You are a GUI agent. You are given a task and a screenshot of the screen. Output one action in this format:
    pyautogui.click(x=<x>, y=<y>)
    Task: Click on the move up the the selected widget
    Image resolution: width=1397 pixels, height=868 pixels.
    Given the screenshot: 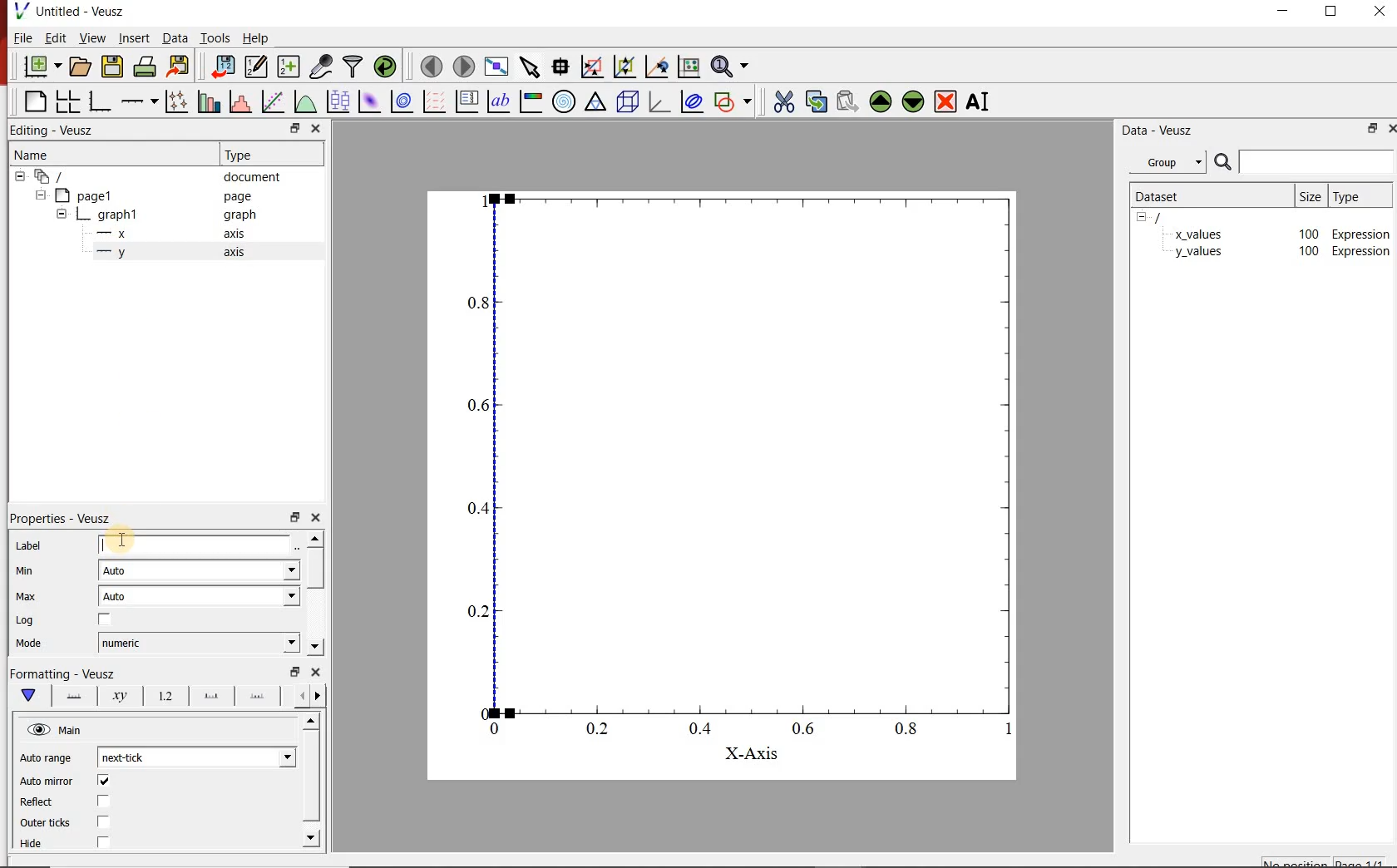 What is the action you would take?
    pyautogui.click(x=878, y=103)
    